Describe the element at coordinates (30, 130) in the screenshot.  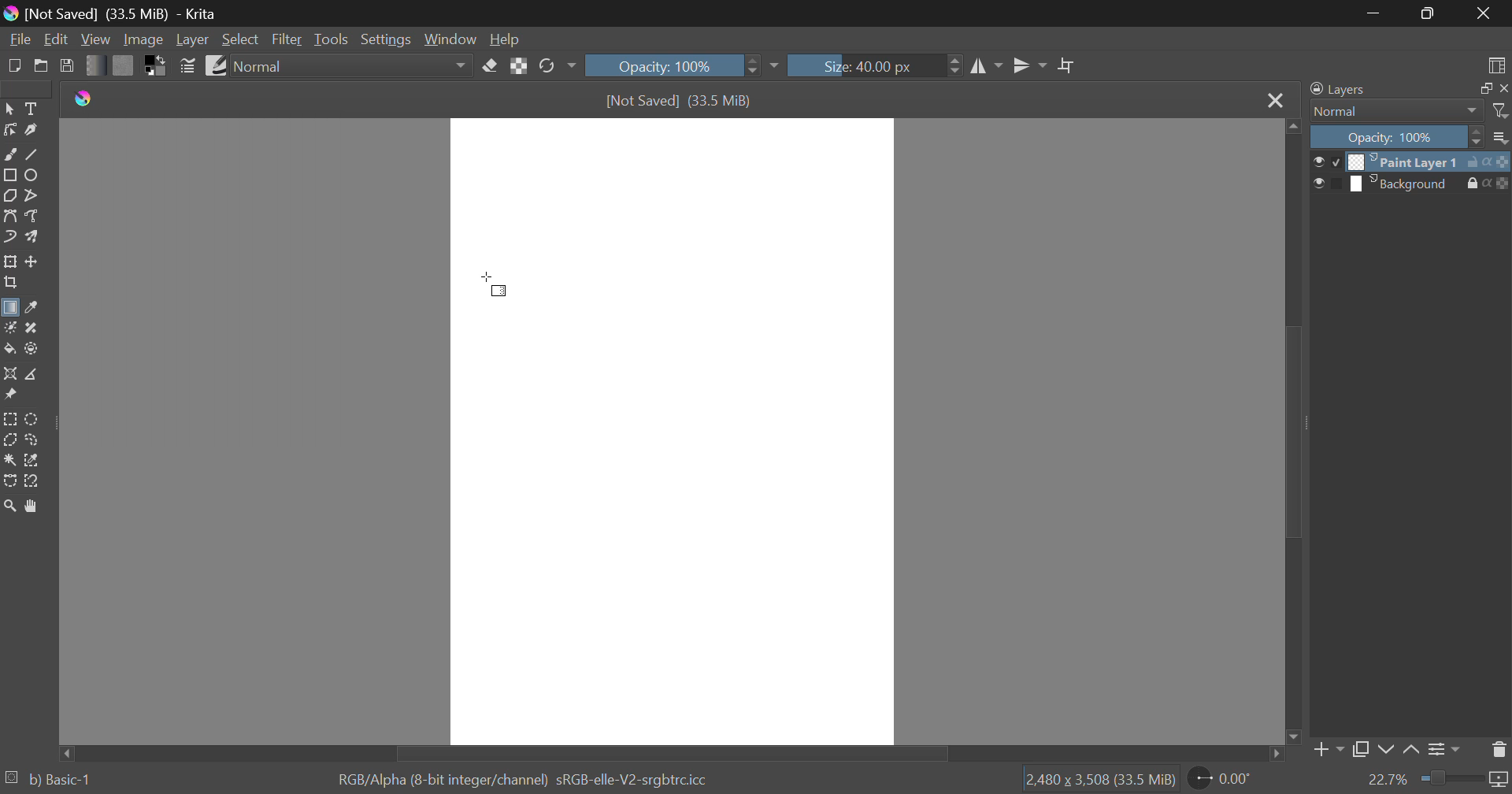
I see `Calligraphic Line` at that location.